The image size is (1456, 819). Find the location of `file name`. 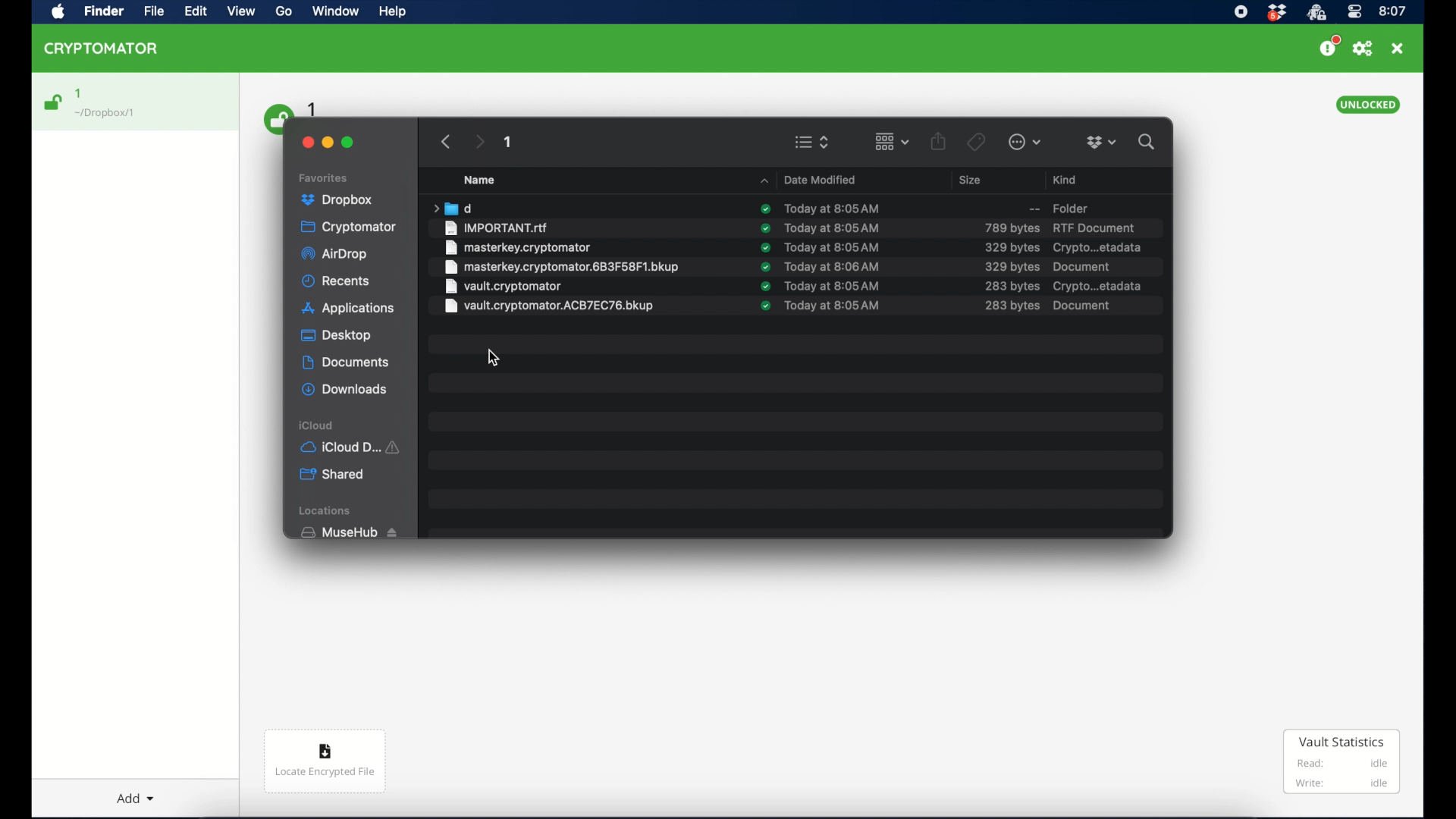

file name is located at coordinates (561, 267).